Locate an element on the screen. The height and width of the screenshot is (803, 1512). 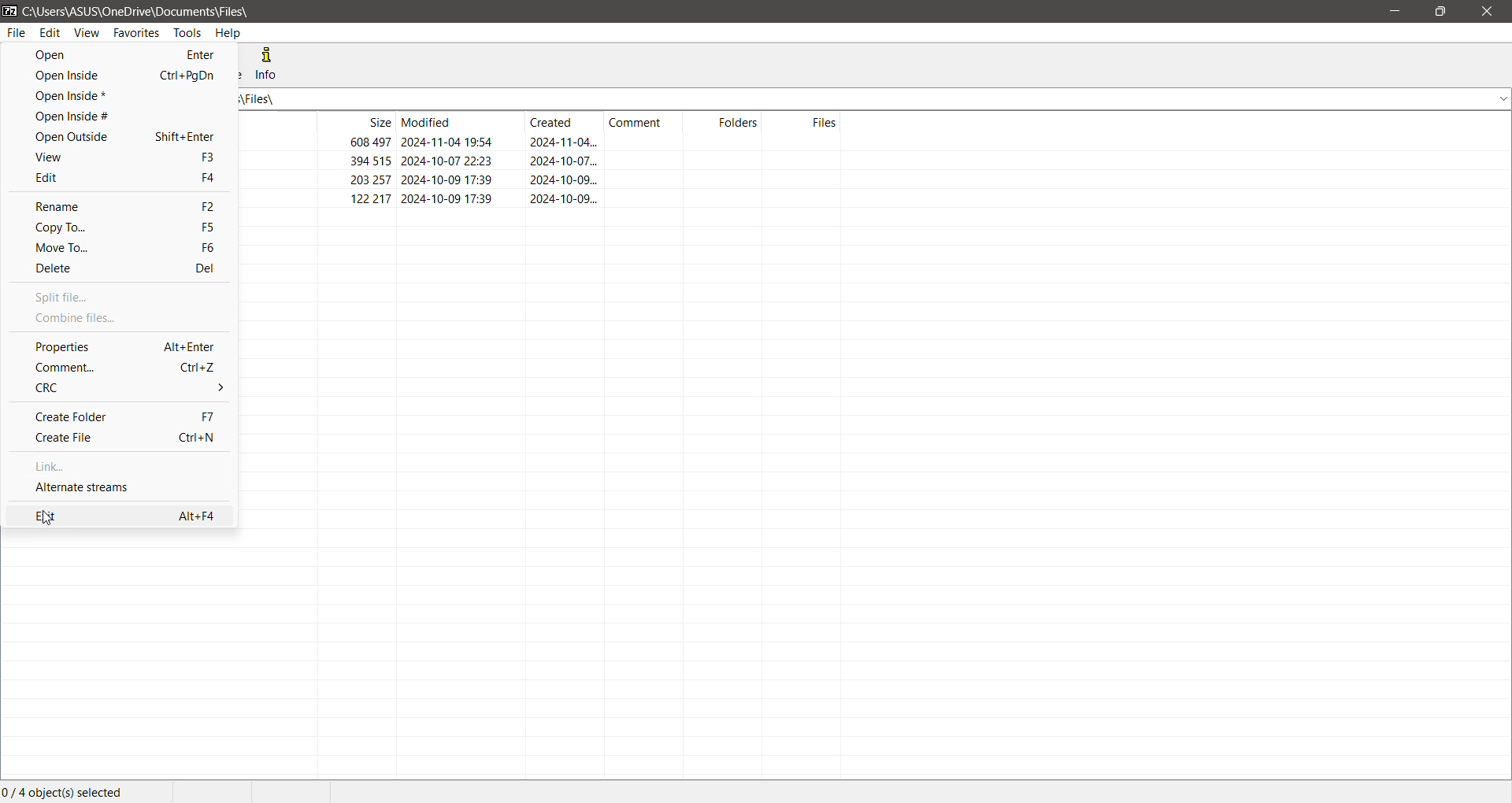
Open Inside # is located at coordinates (79, 117).